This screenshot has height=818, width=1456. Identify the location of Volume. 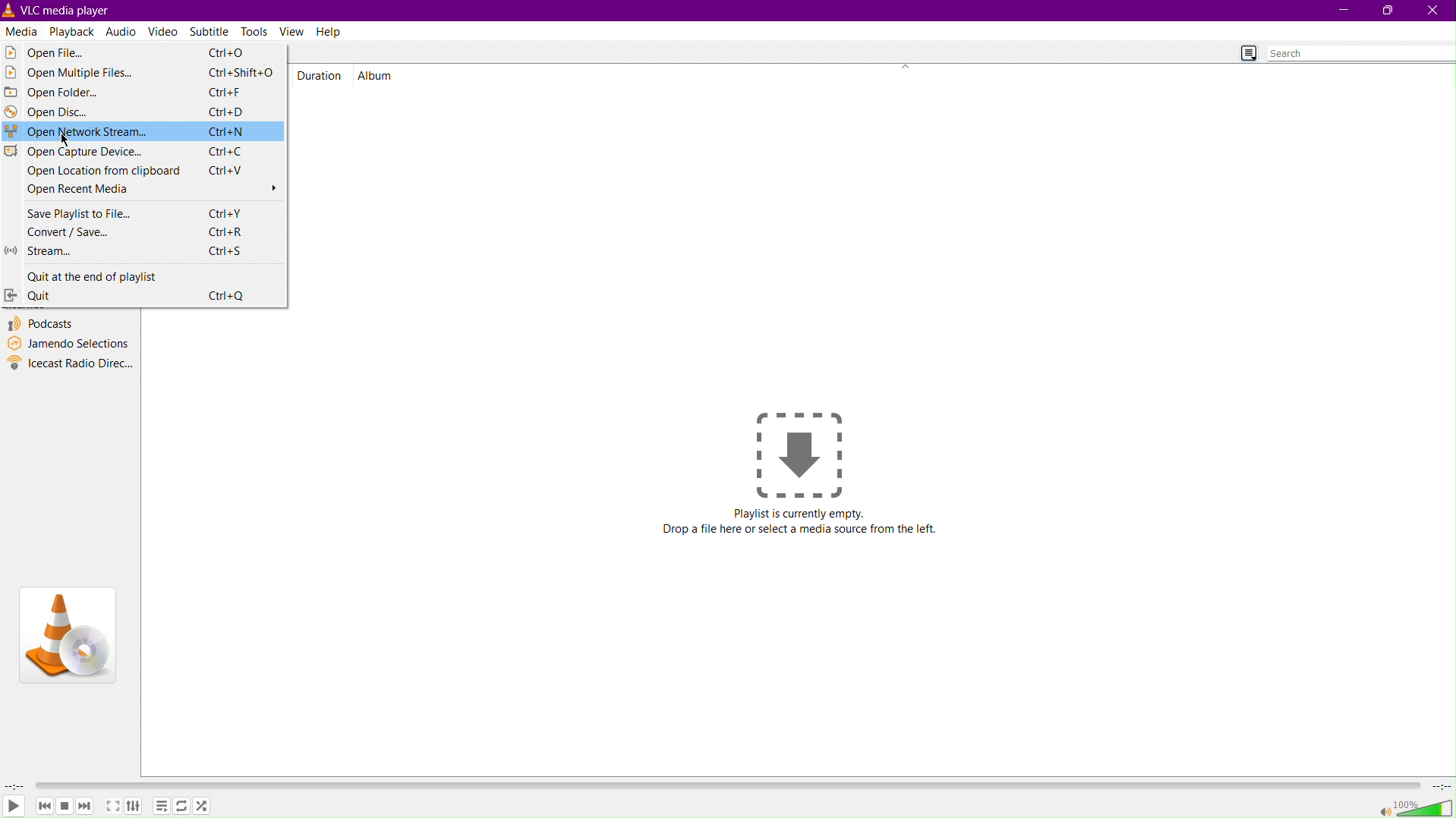
(1412, 807).